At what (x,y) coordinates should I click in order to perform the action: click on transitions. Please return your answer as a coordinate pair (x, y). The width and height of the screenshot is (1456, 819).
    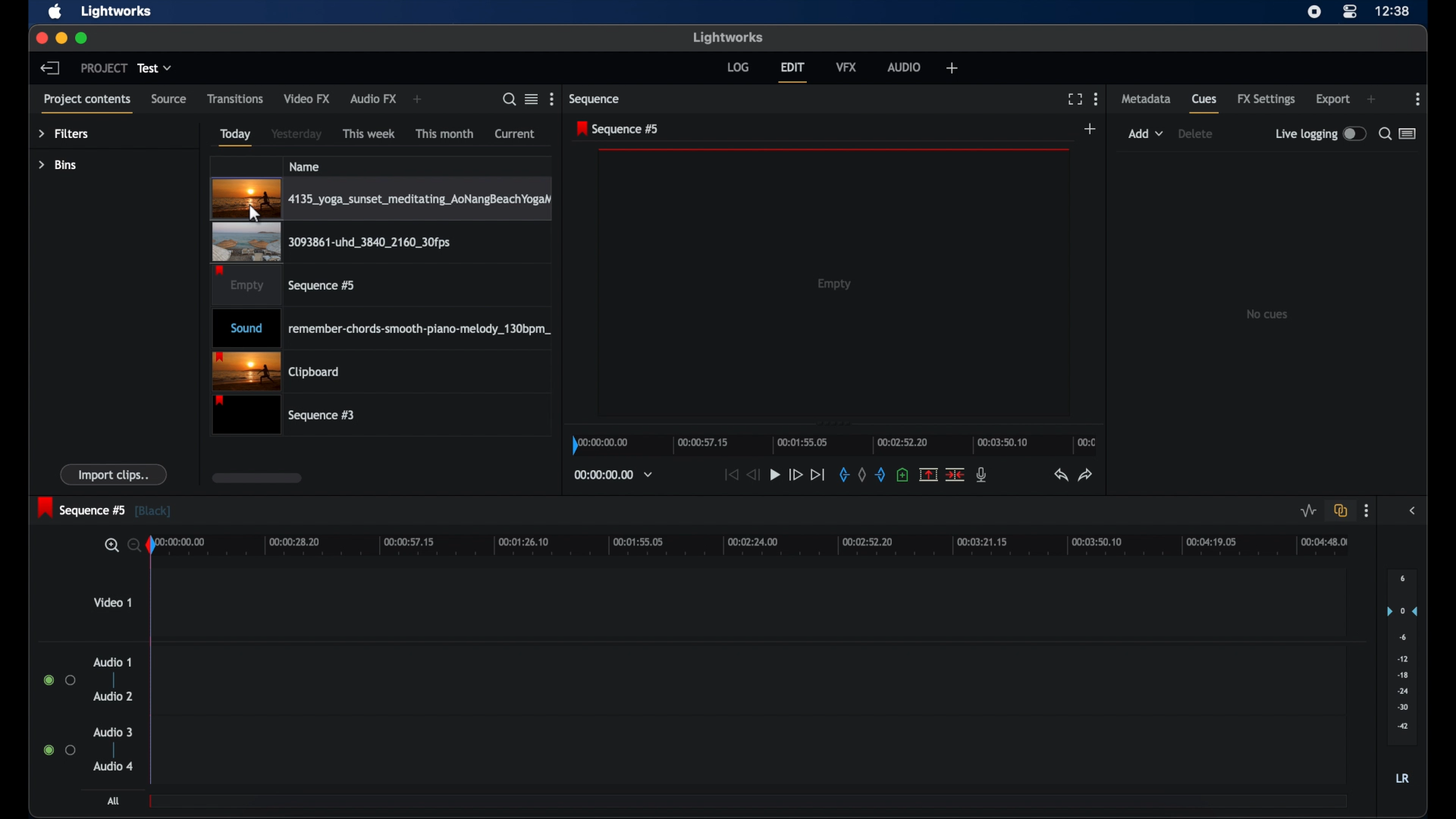
    Looking at the image, I should click on (235, 99).